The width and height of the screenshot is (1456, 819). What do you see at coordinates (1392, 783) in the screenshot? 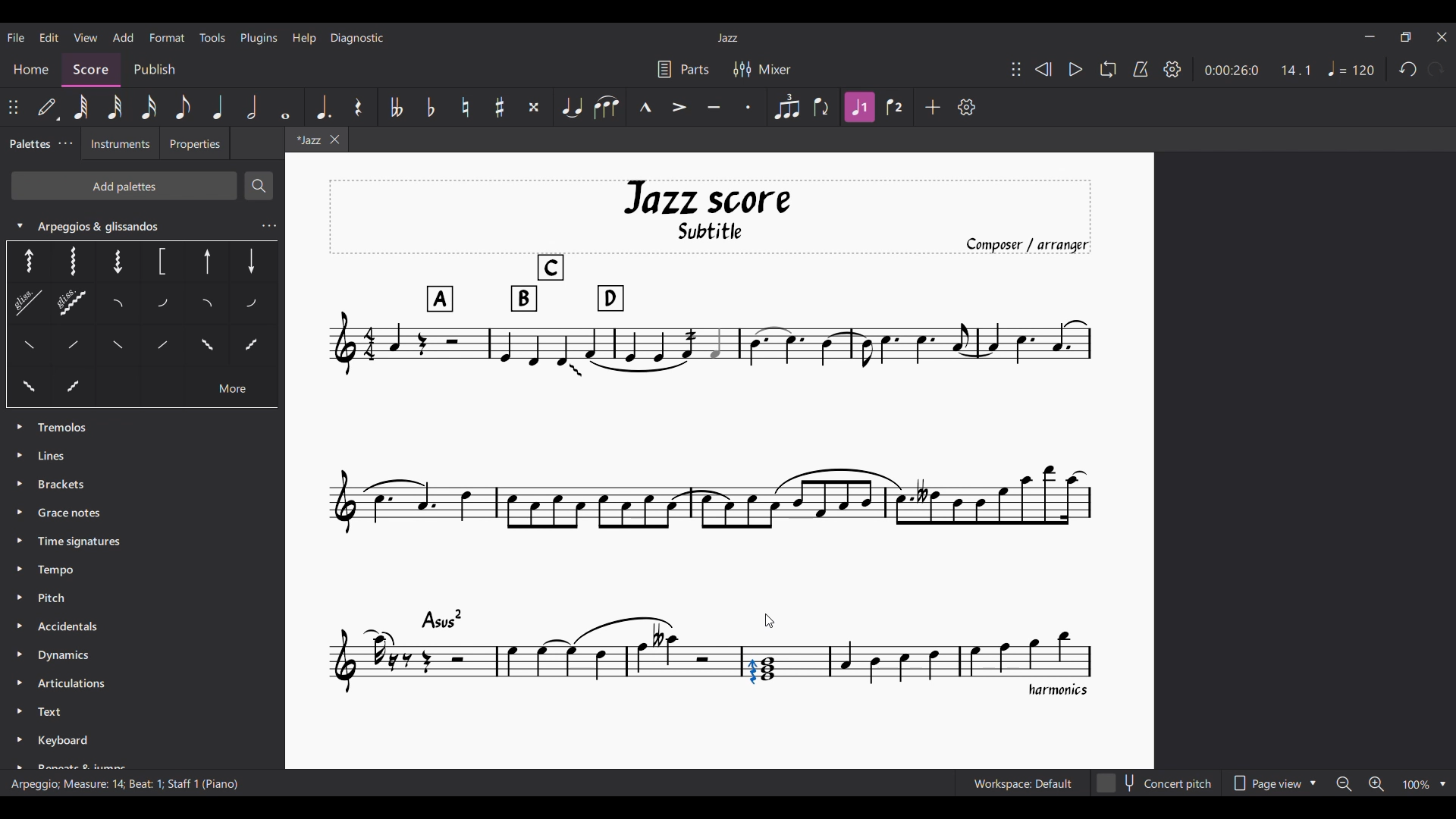
I see `Zoom options` at bounding box center [1392, 783].